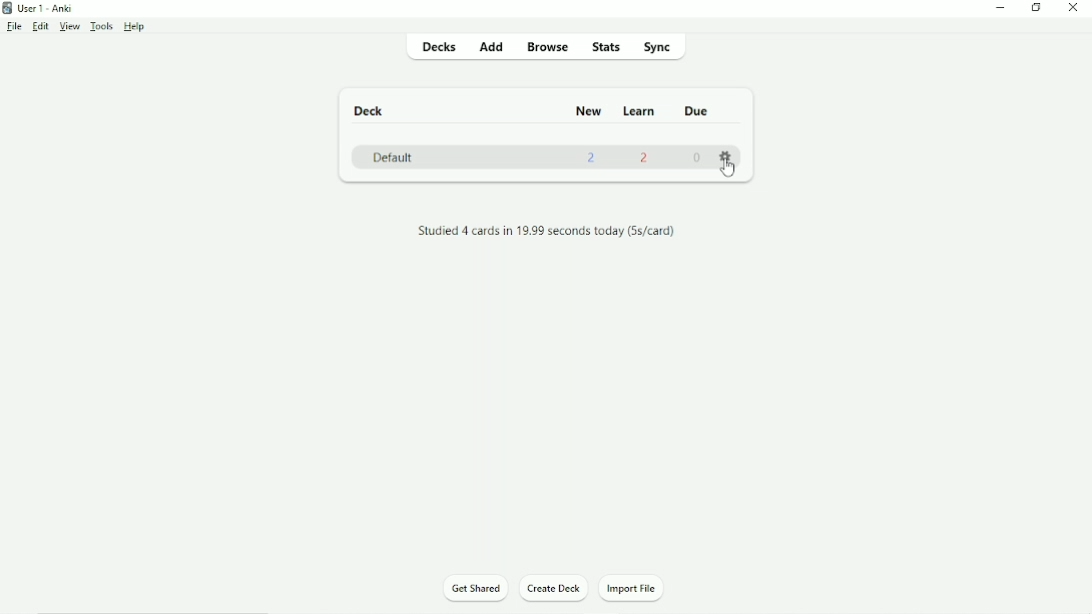  I want to click on Due, so click(696, 111).